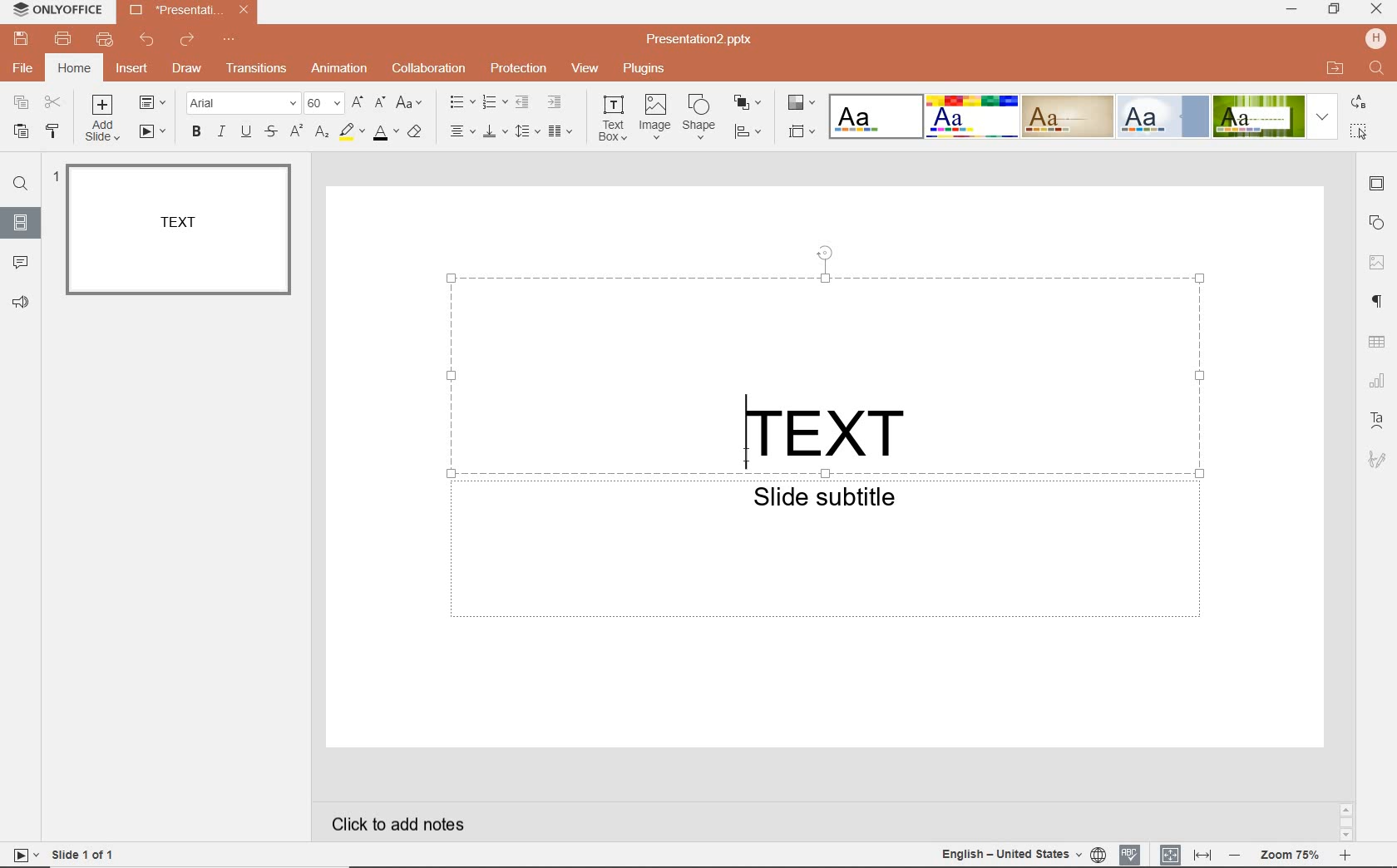 The width and height of the screenshot is (1397, 868). What do you see at coordinates (297, 132) in the screenshot?
I see `SUPERSCRIPT` at bounding box center [297, 132].